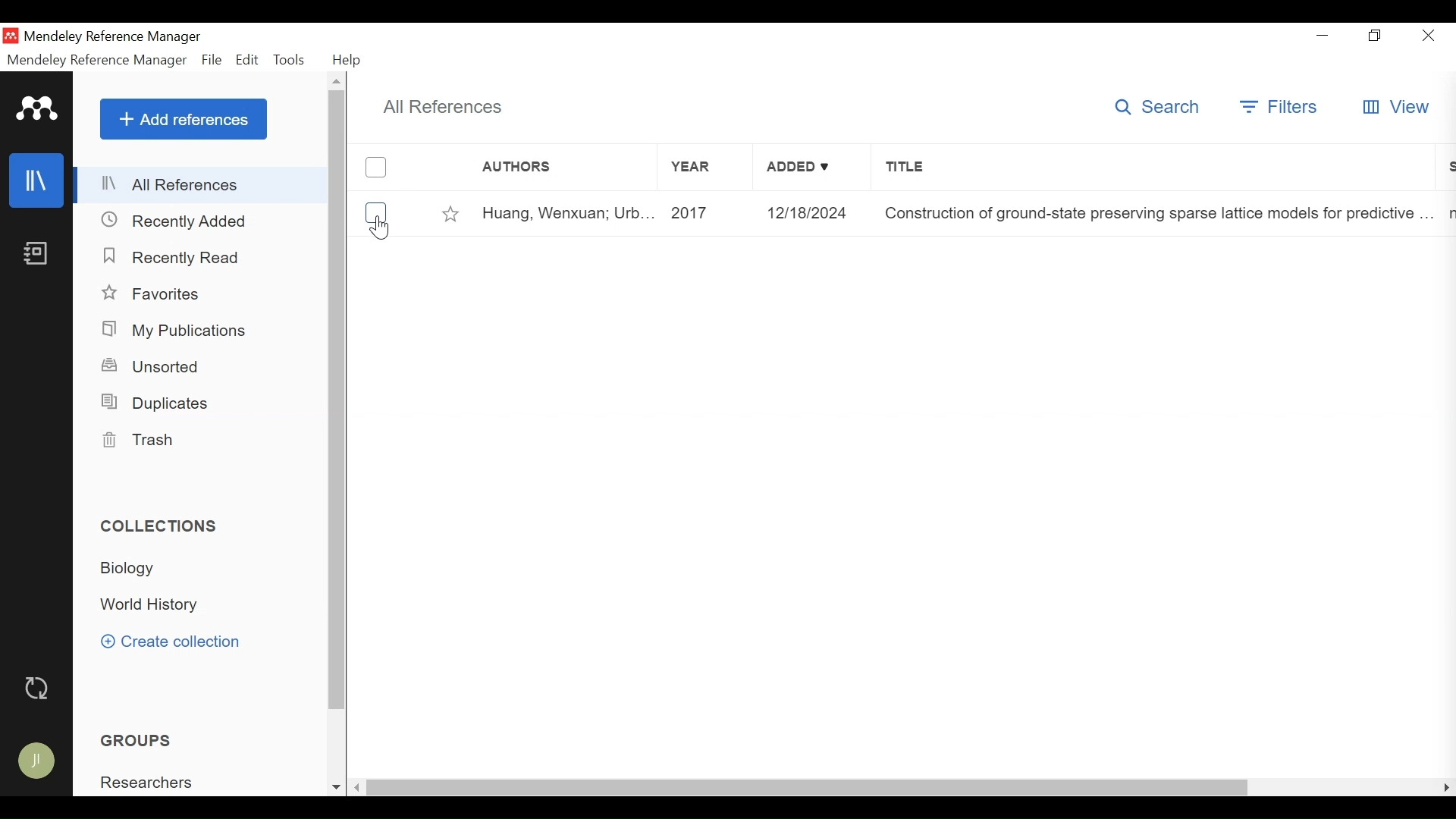 The width and height of the screenshot is (1456, 819). I want to click on Scroll up, so click(336, 80).